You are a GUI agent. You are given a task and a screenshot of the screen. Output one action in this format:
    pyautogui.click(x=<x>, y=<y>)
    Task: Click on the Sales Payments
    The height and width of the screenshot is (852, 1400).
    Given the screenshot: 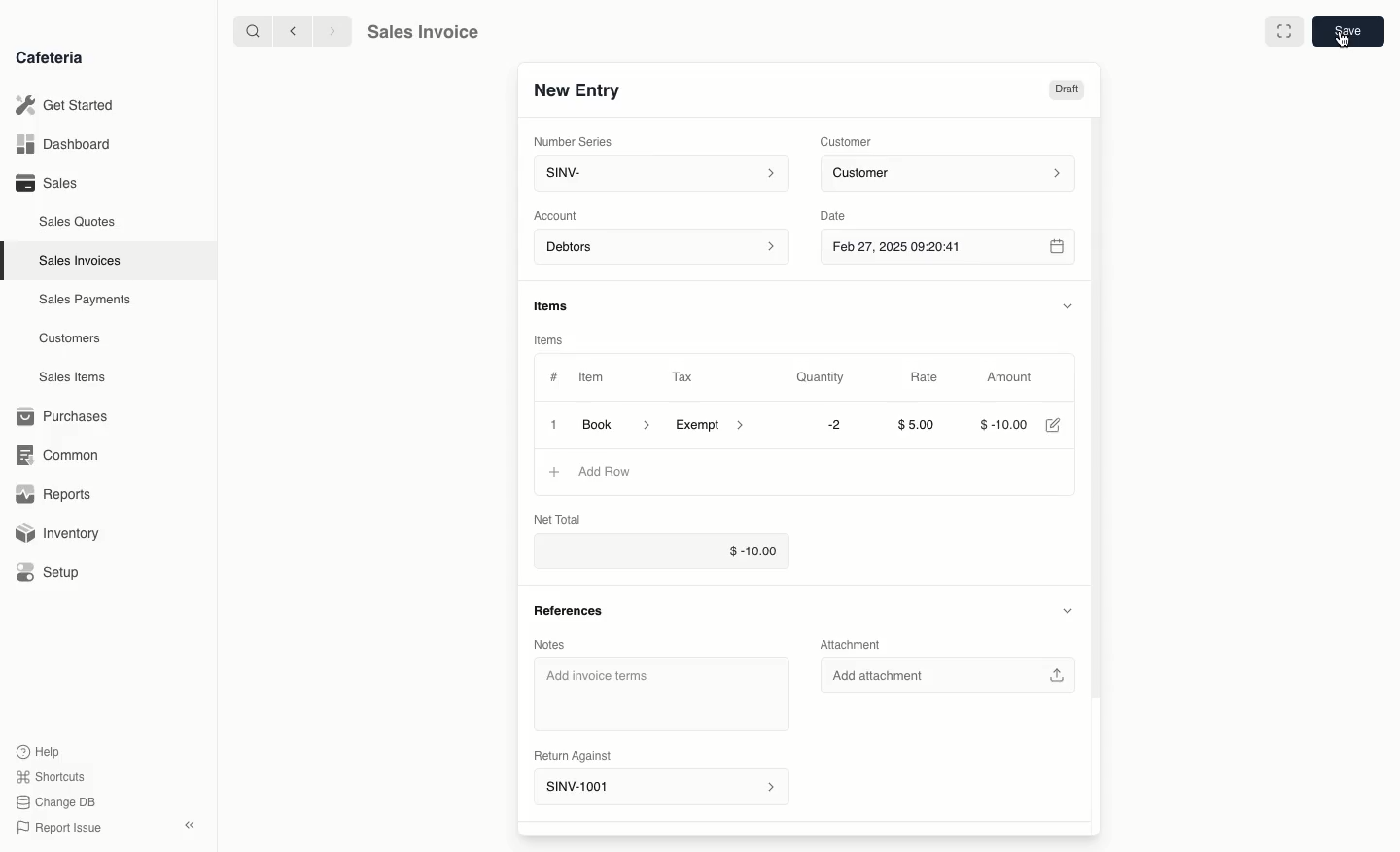 What is the action you would take?
    pyautogui.click(x=86, y=301)
    